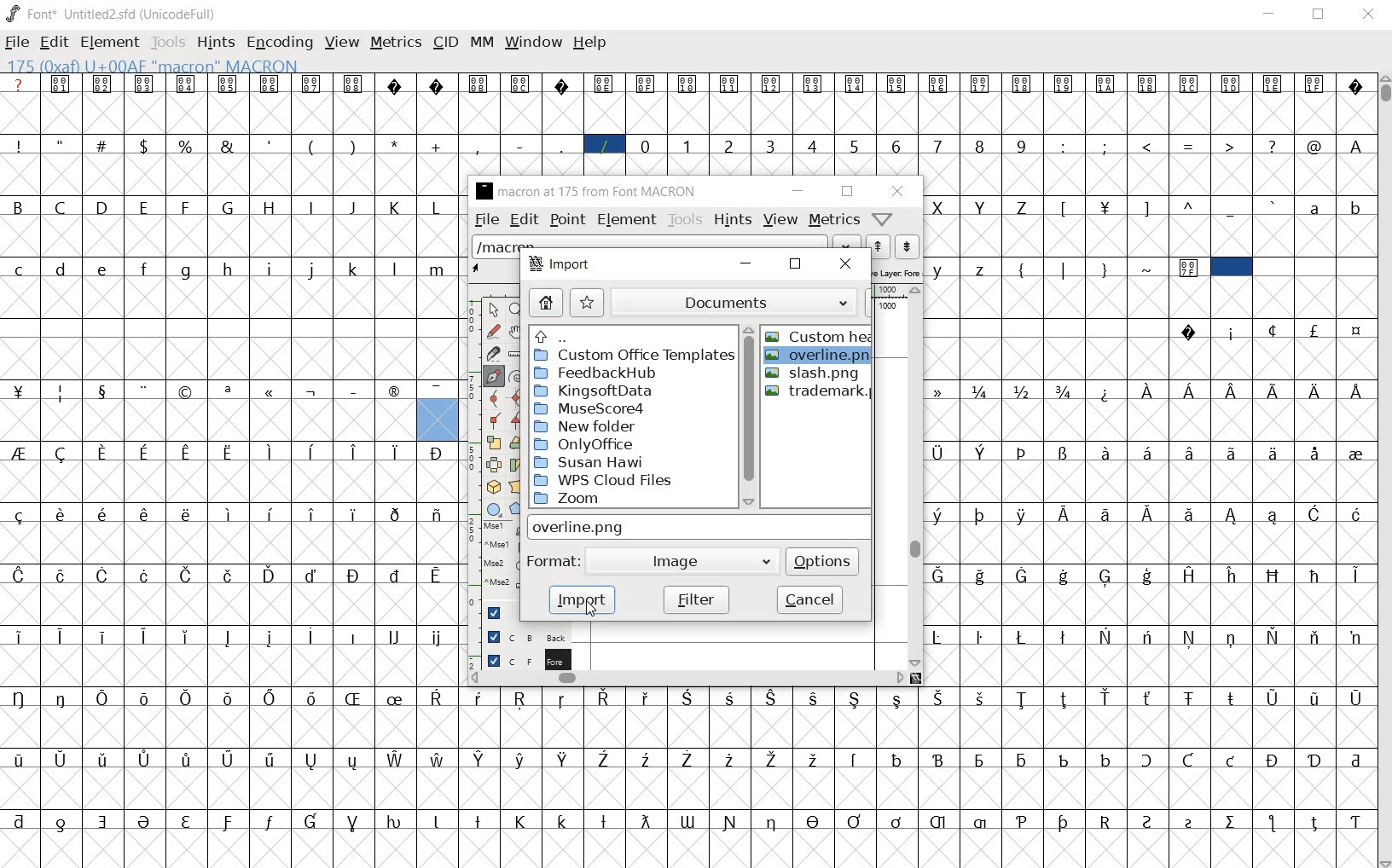  What do you see at coordinates (59, 759) in the screenshot?
I see `Symbol` at bounding box center [59, 759].